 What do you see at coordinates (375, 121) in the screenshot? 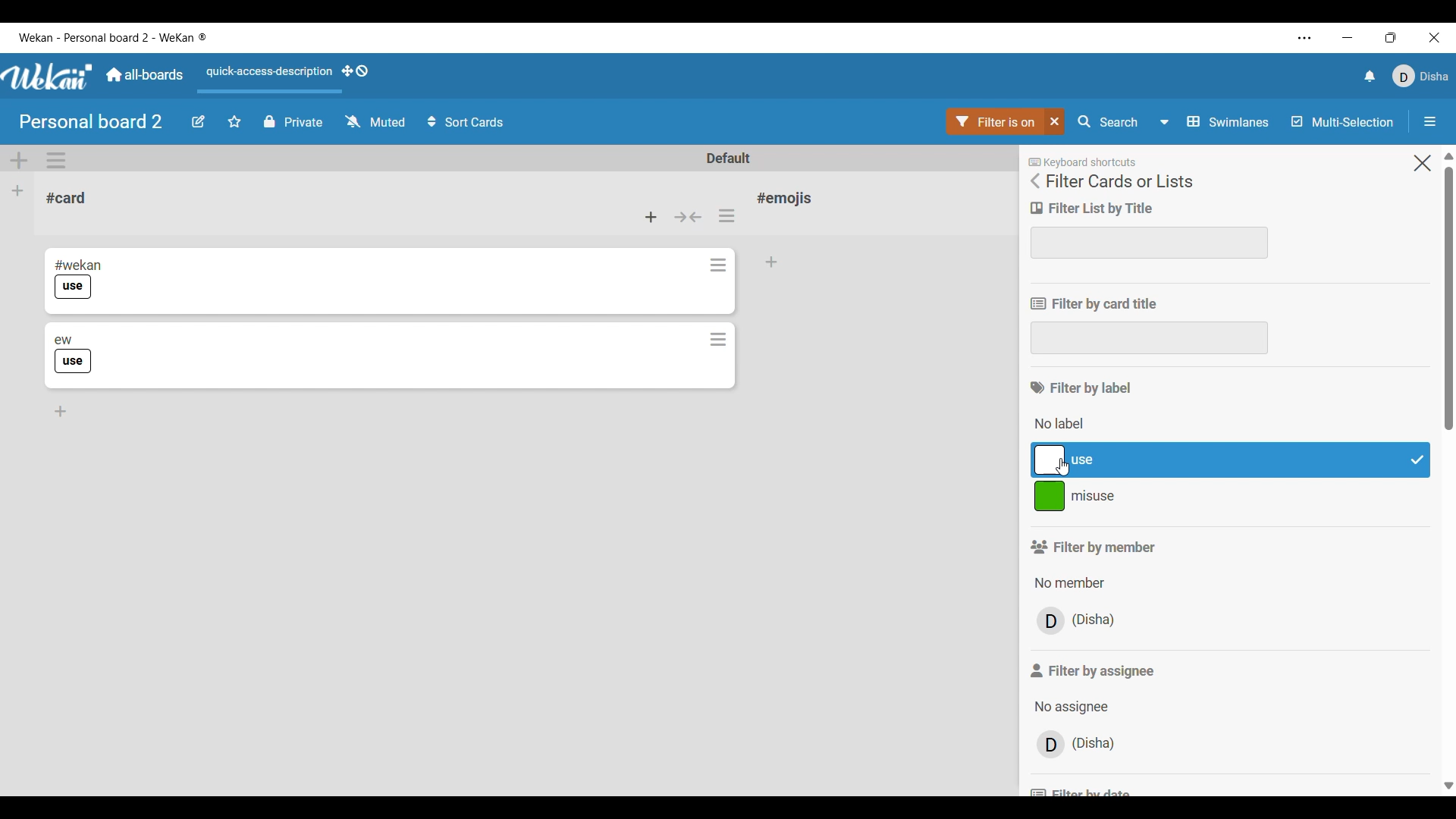
I see `Watch options` at bounding box center [375, 121].